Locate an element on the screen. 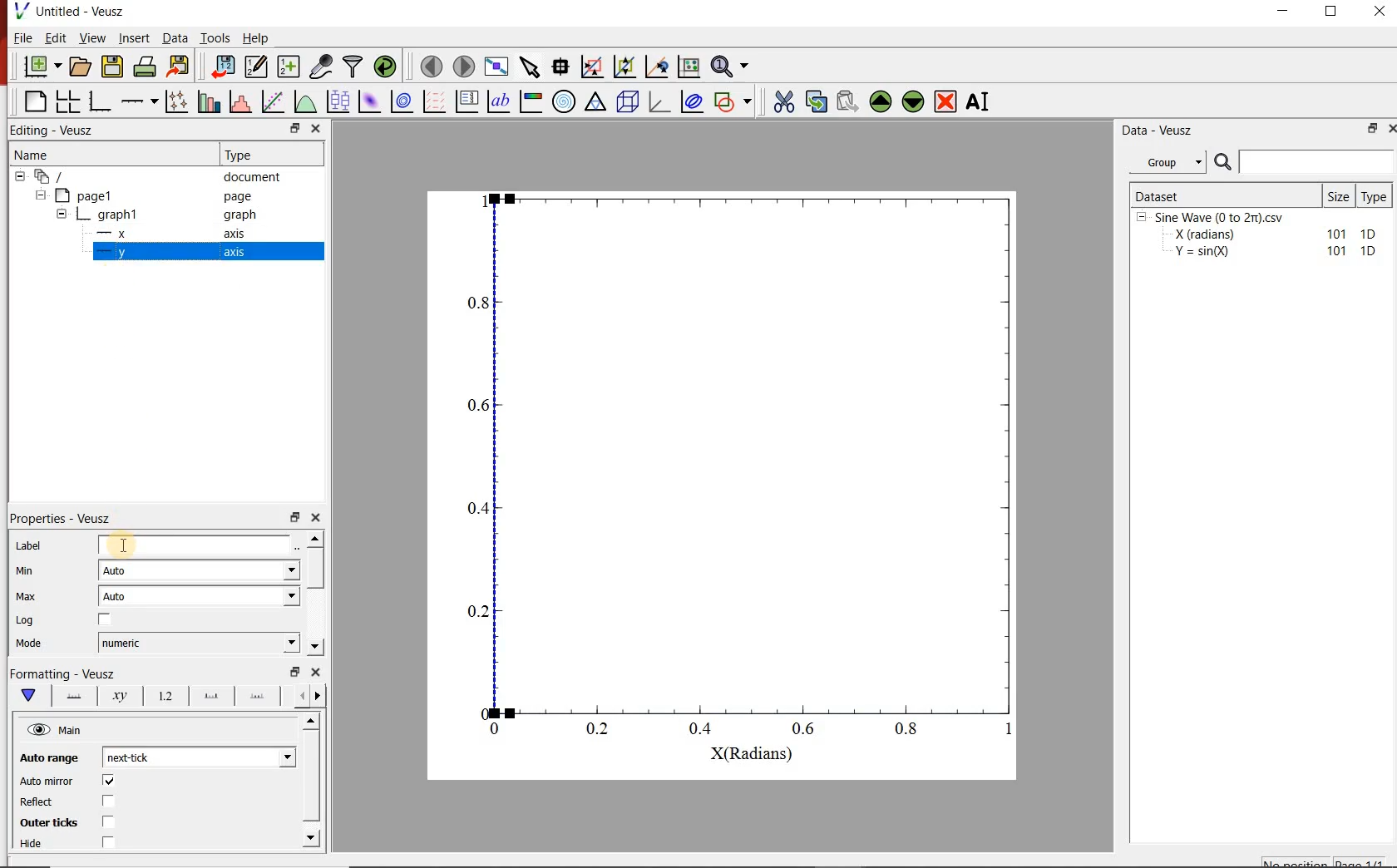 The image size is (1397, 868). Search is located at coordinates (1305, 162).